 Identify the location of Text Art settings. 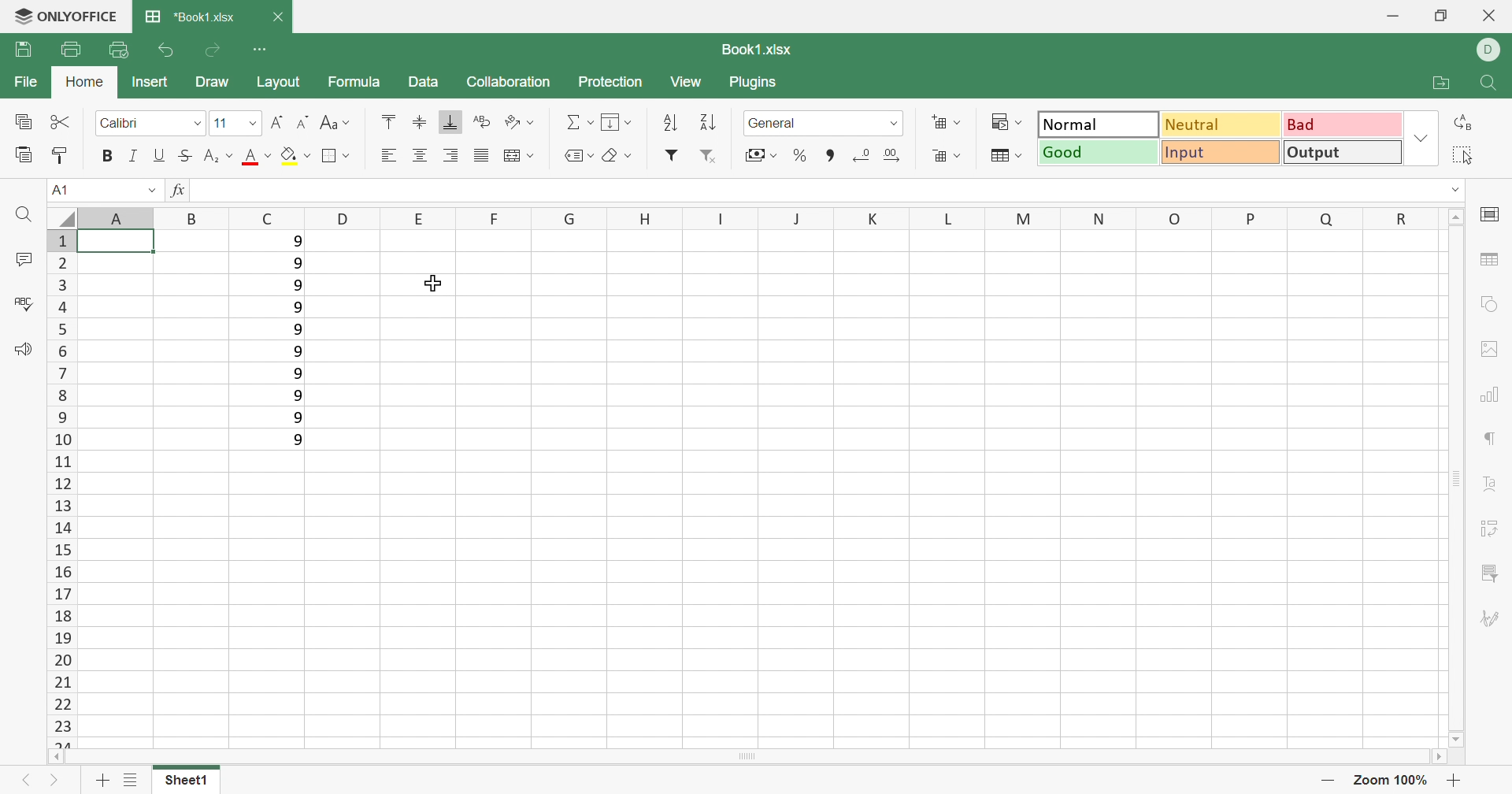
(1490, 484).